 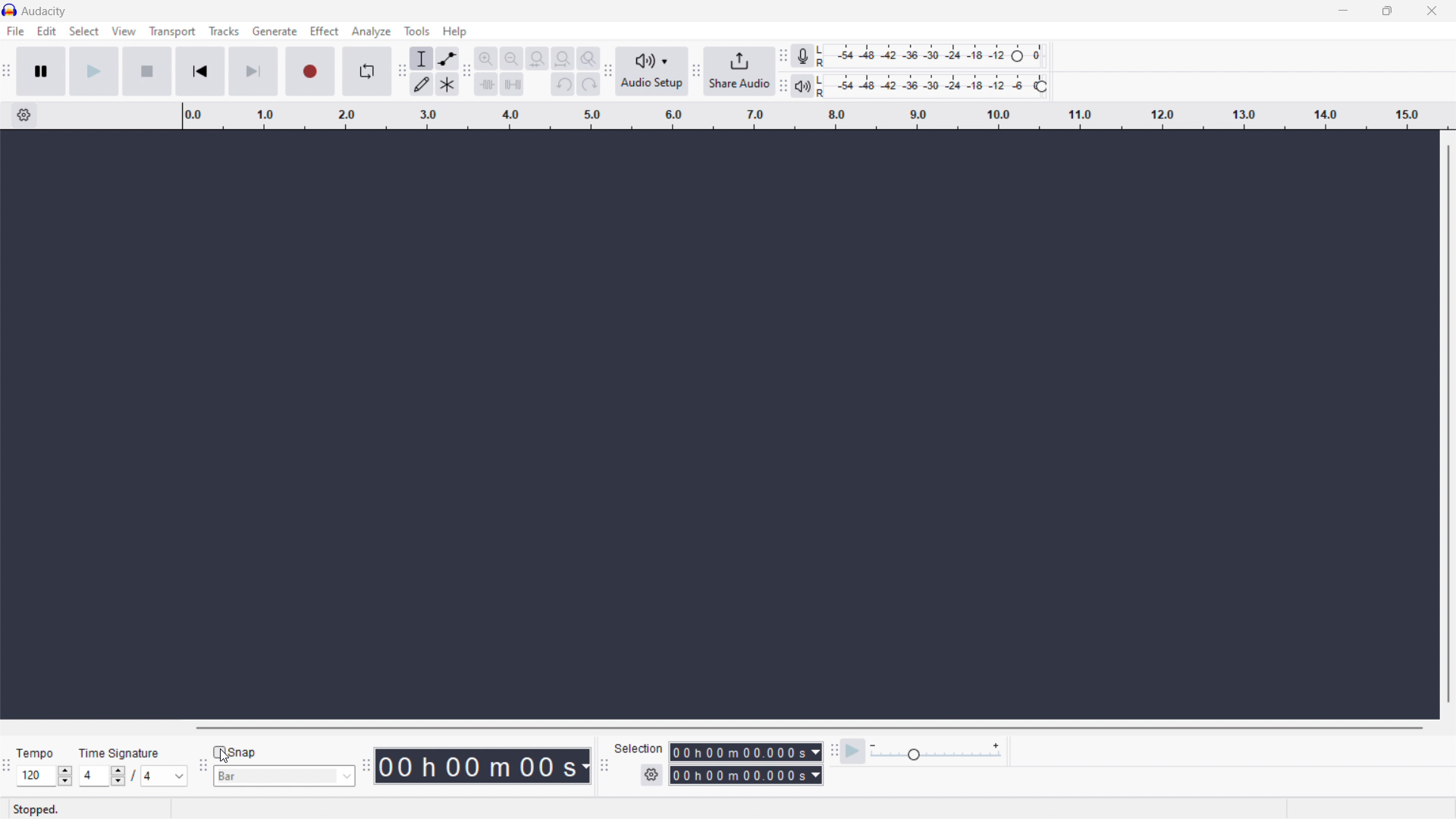 I want to click on effect, so click(x=325, y=31).